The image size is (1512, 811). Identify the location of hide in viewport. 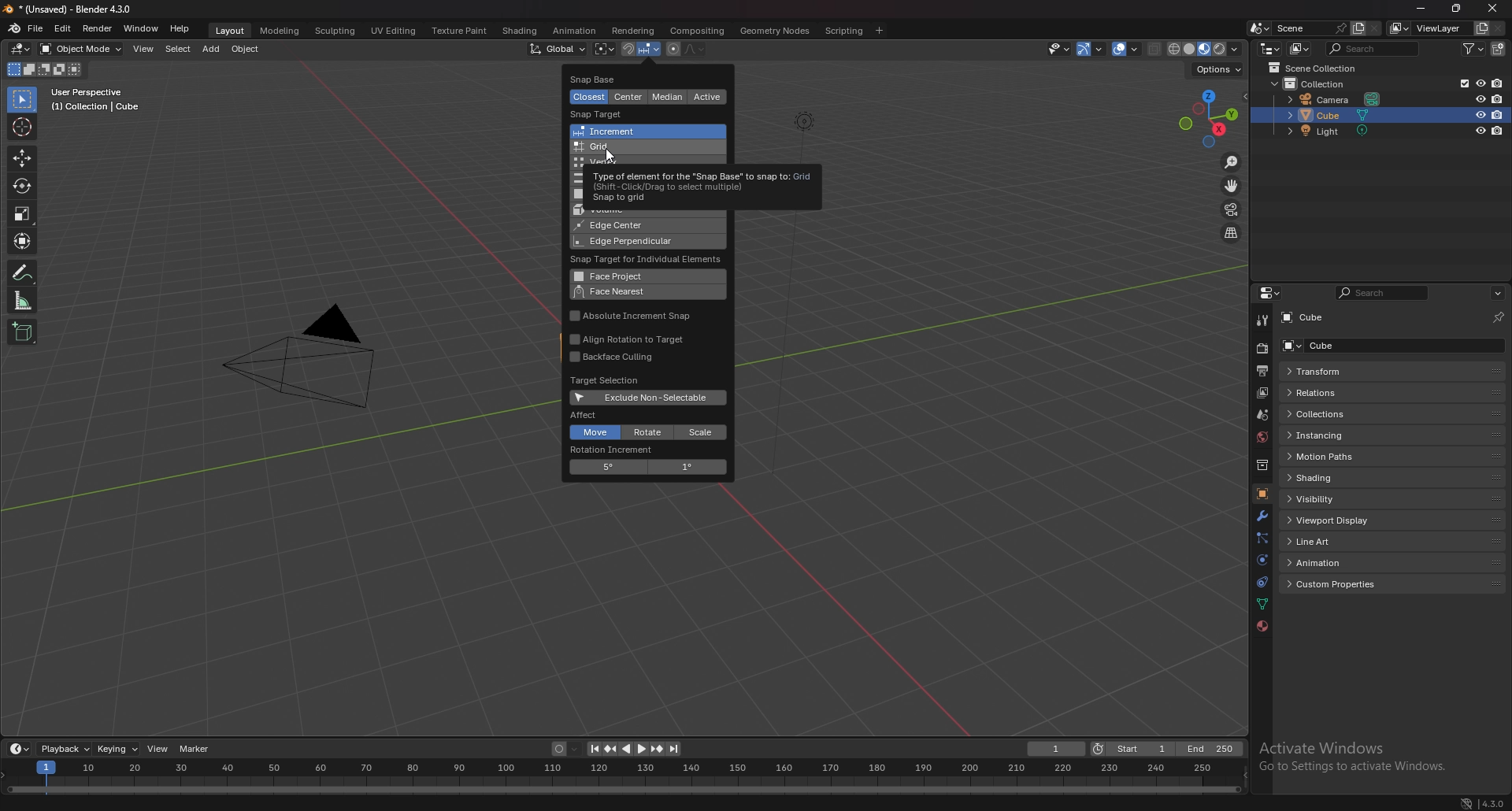
(1480, 114).